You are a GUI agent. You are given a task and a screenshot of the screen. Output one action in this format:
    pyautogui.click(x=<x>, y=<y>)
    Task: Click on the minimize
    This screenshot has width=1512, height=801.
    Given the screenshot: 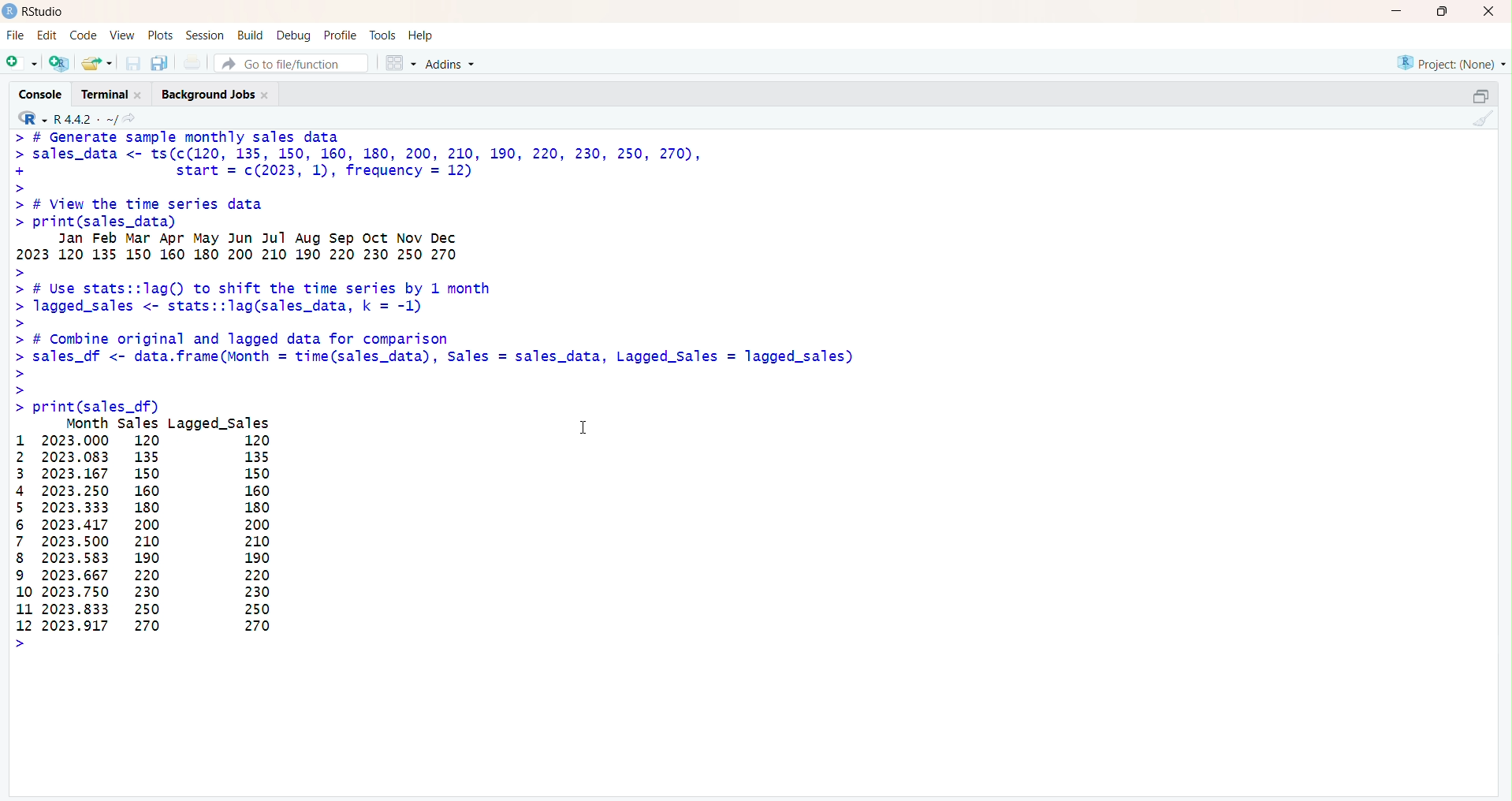 What is the action you would take?
    pyautogui.click(x=1394, y=12)
    